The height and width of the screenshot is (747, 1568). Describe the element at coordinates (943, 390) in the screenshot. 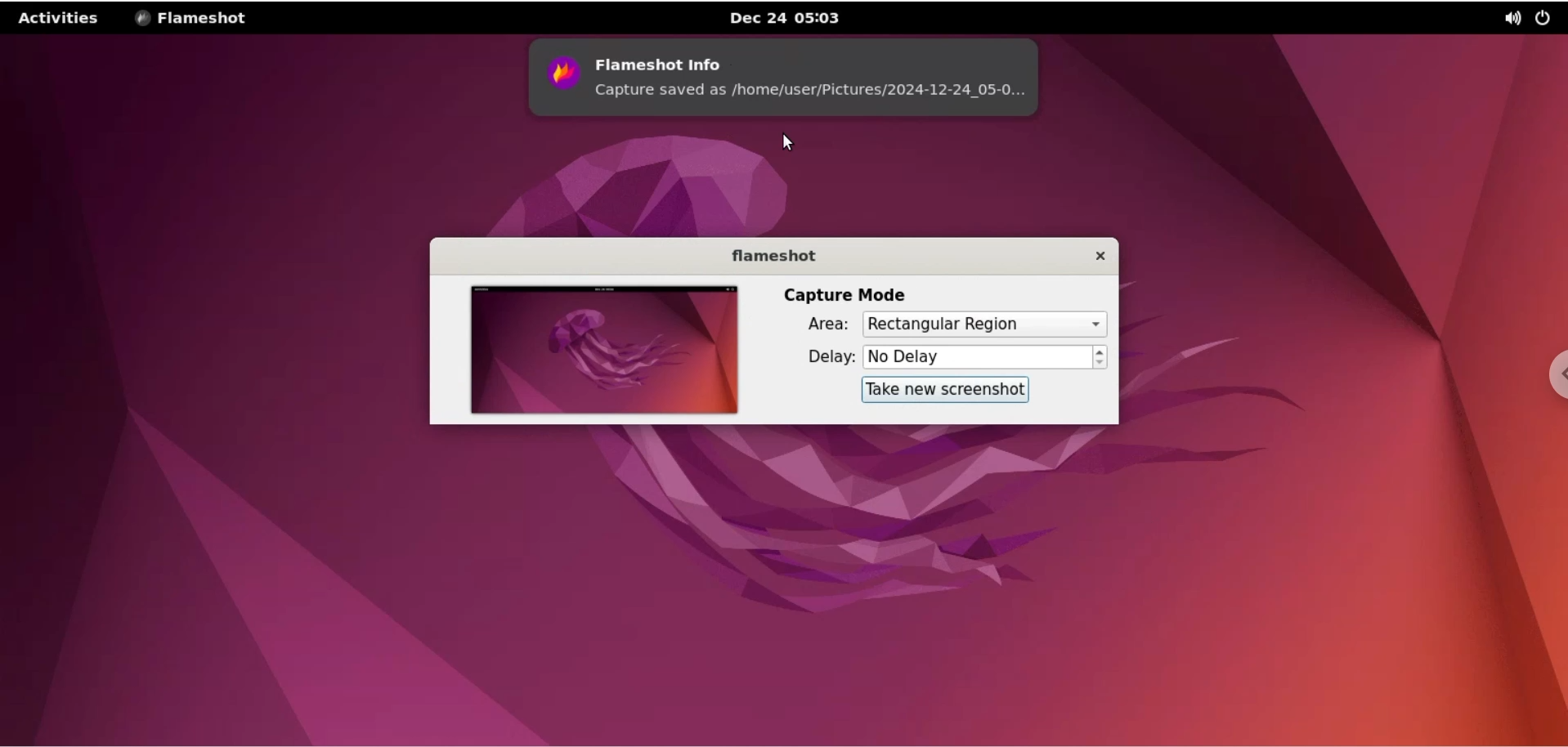

I see `take new screenshot` at that location.